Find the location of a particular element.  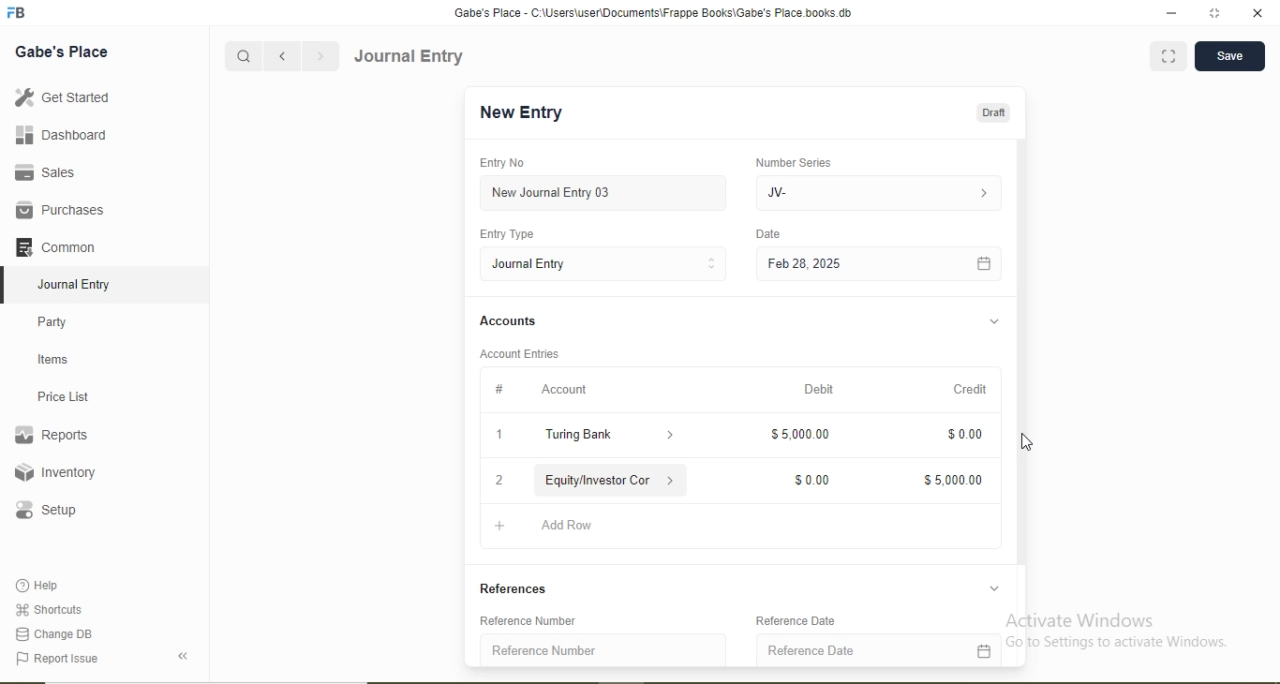

References is located at coordinates (516, 589).